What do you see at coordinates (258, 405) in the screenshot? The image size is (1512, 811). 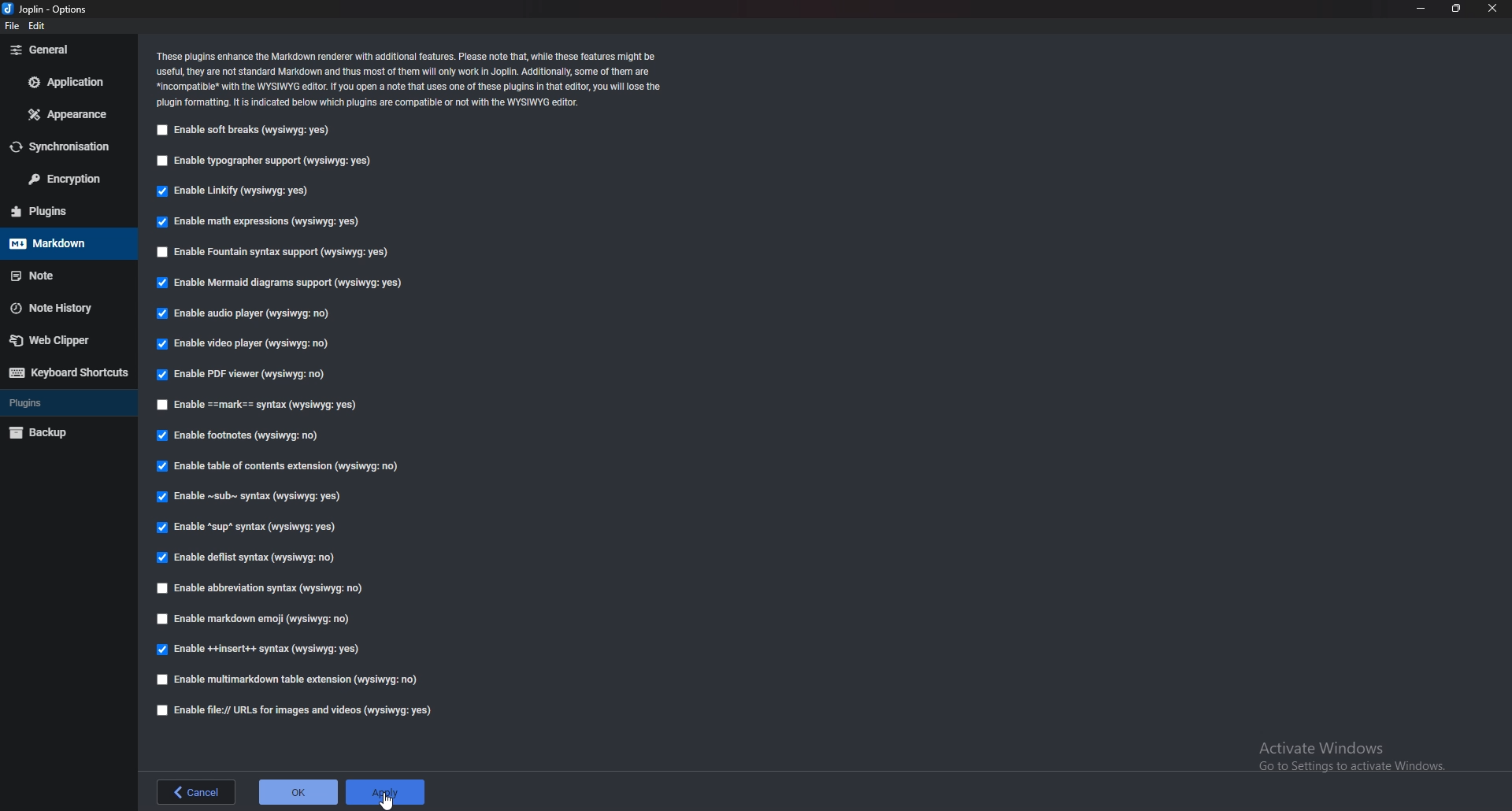 I see `Enable Mark Syntax` at bounding box center [258, 405].